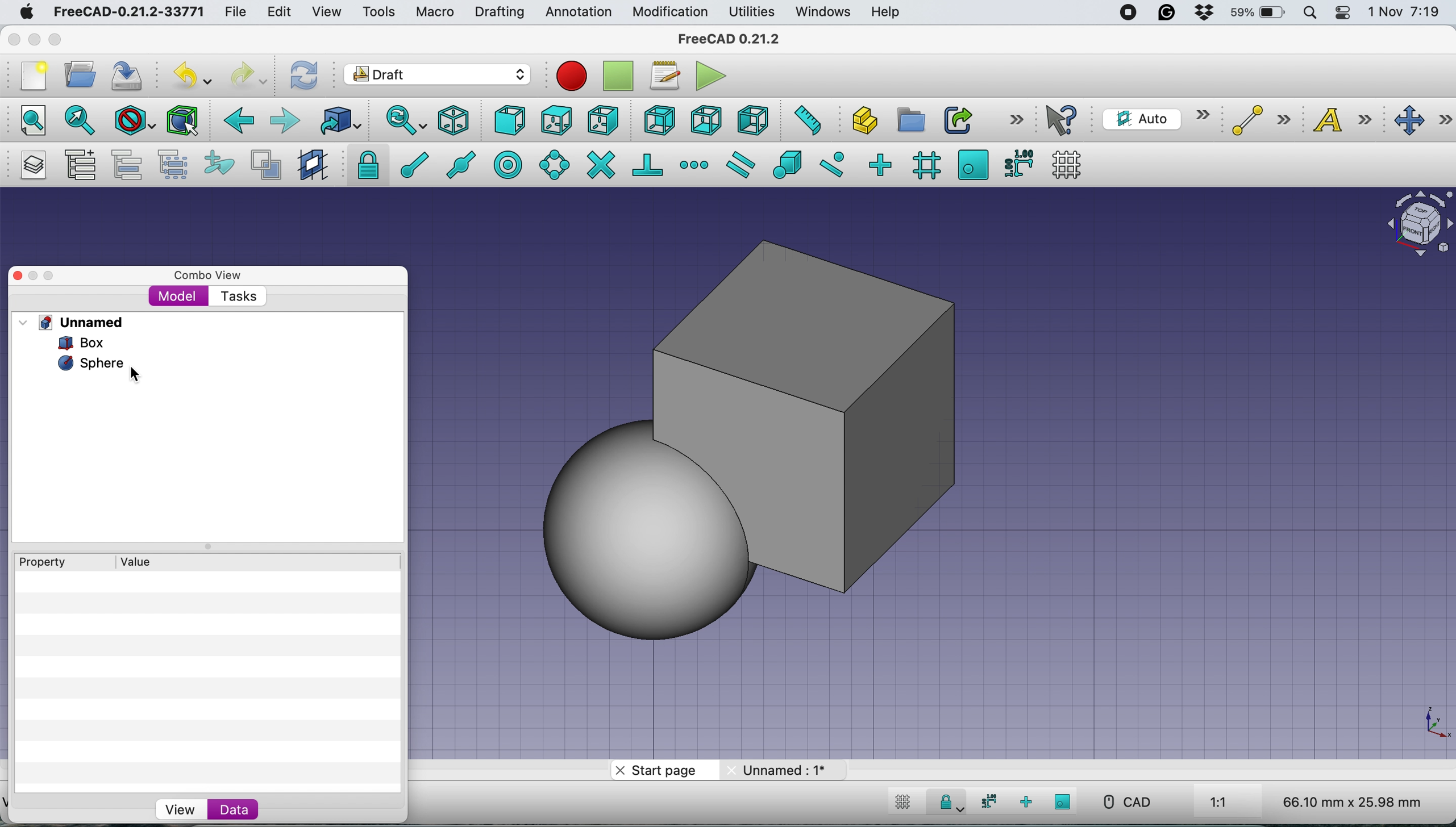  What do you see at coordinates (438, 76) in the screenshot?
I see `workbench` at bounding box center [438, 76].